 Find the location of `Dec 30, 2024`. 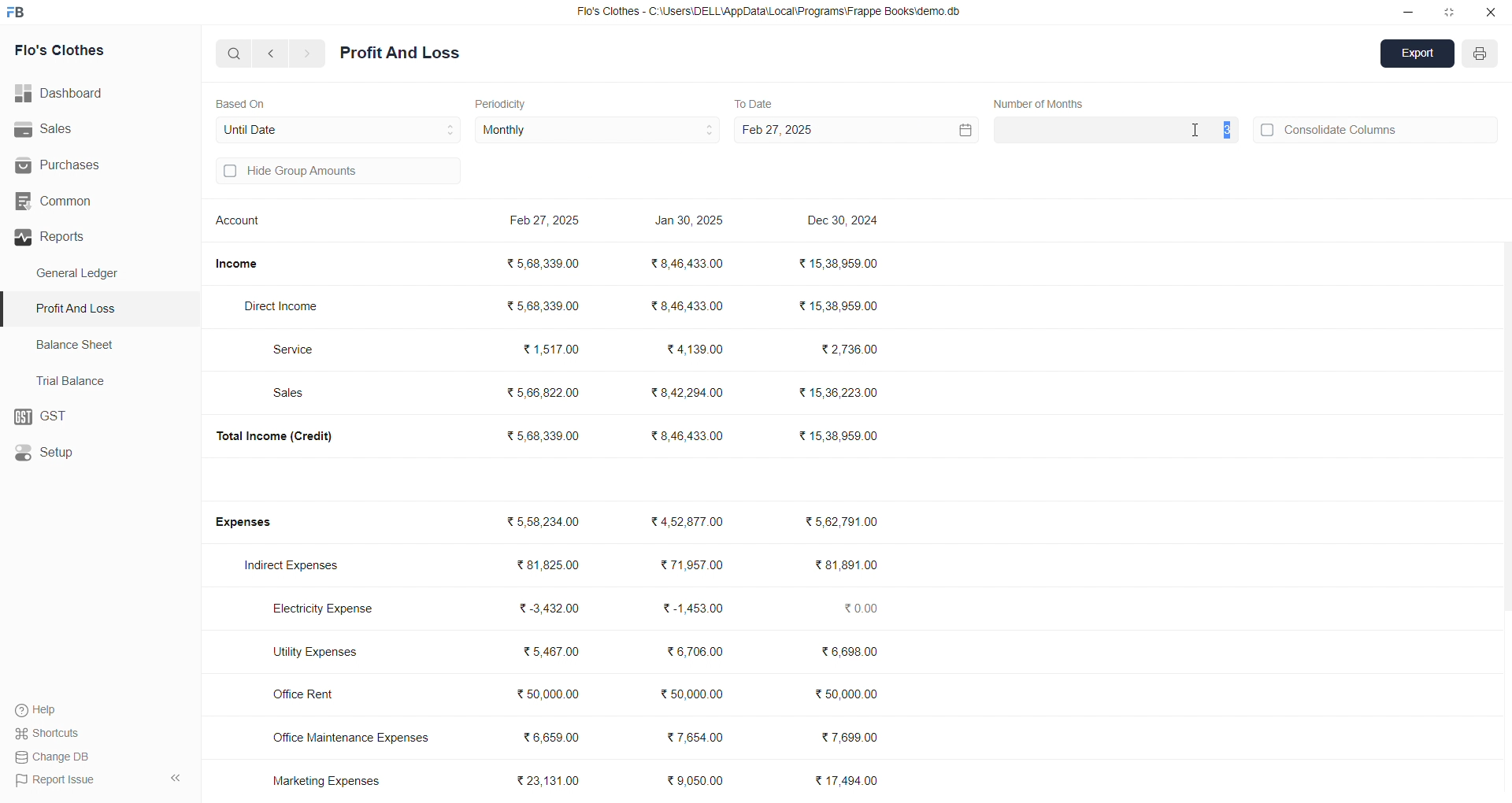

Dec 30, 2024 is located at coordinates (845, 222).